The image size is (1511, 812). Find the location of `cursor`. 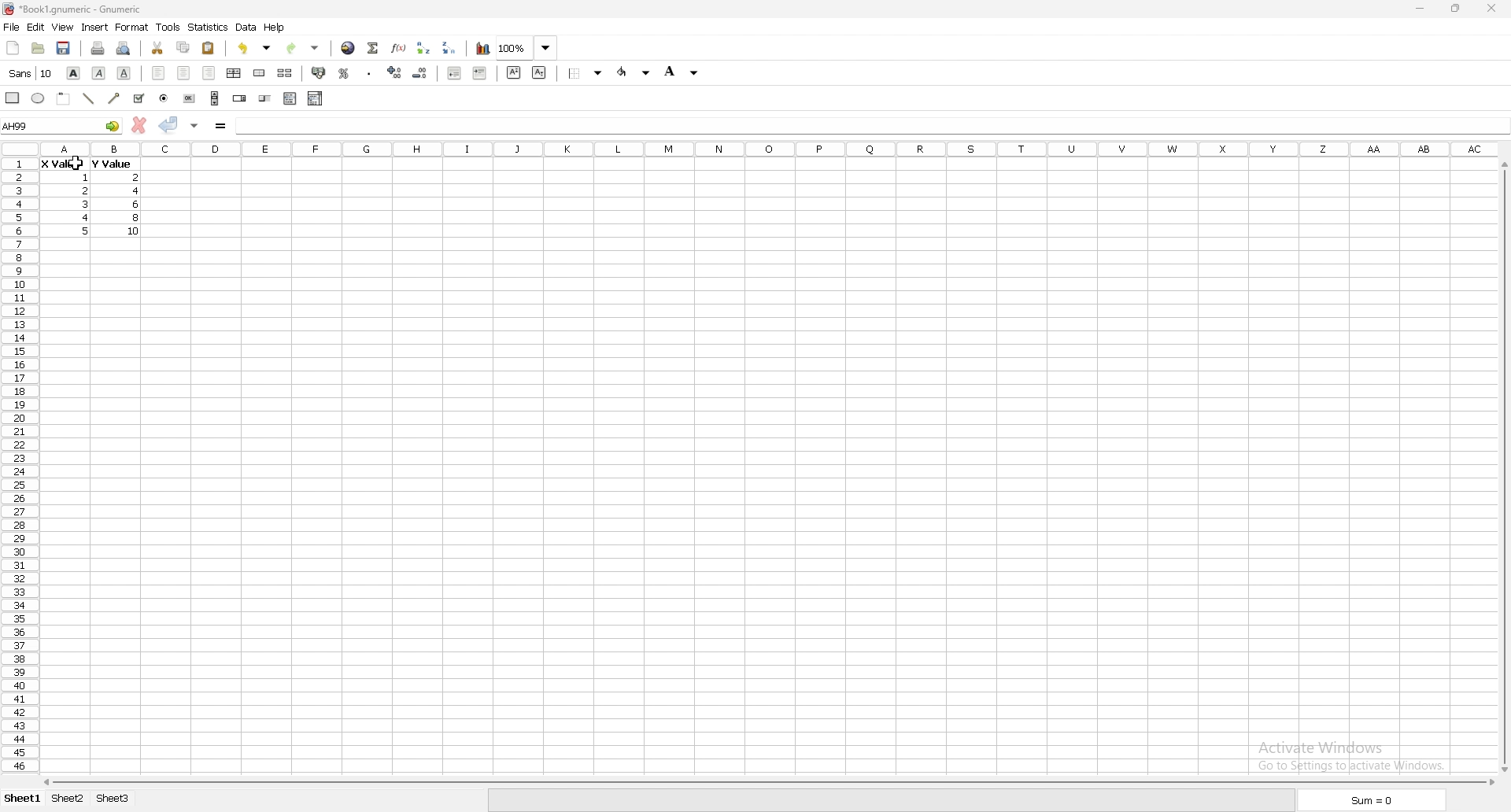

cursor is located at coordinates (78, 164).